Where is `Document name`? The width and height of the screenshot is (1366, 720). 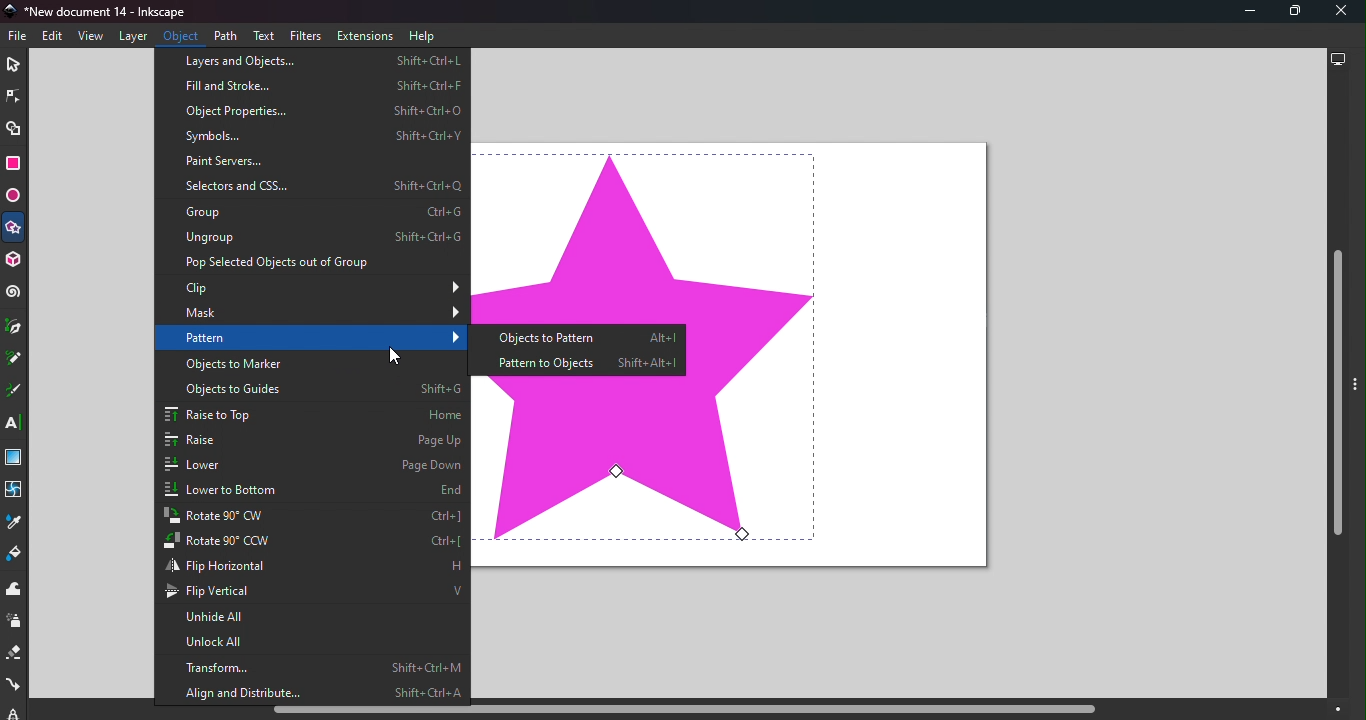 Document name is located at coordinates (104, 11).